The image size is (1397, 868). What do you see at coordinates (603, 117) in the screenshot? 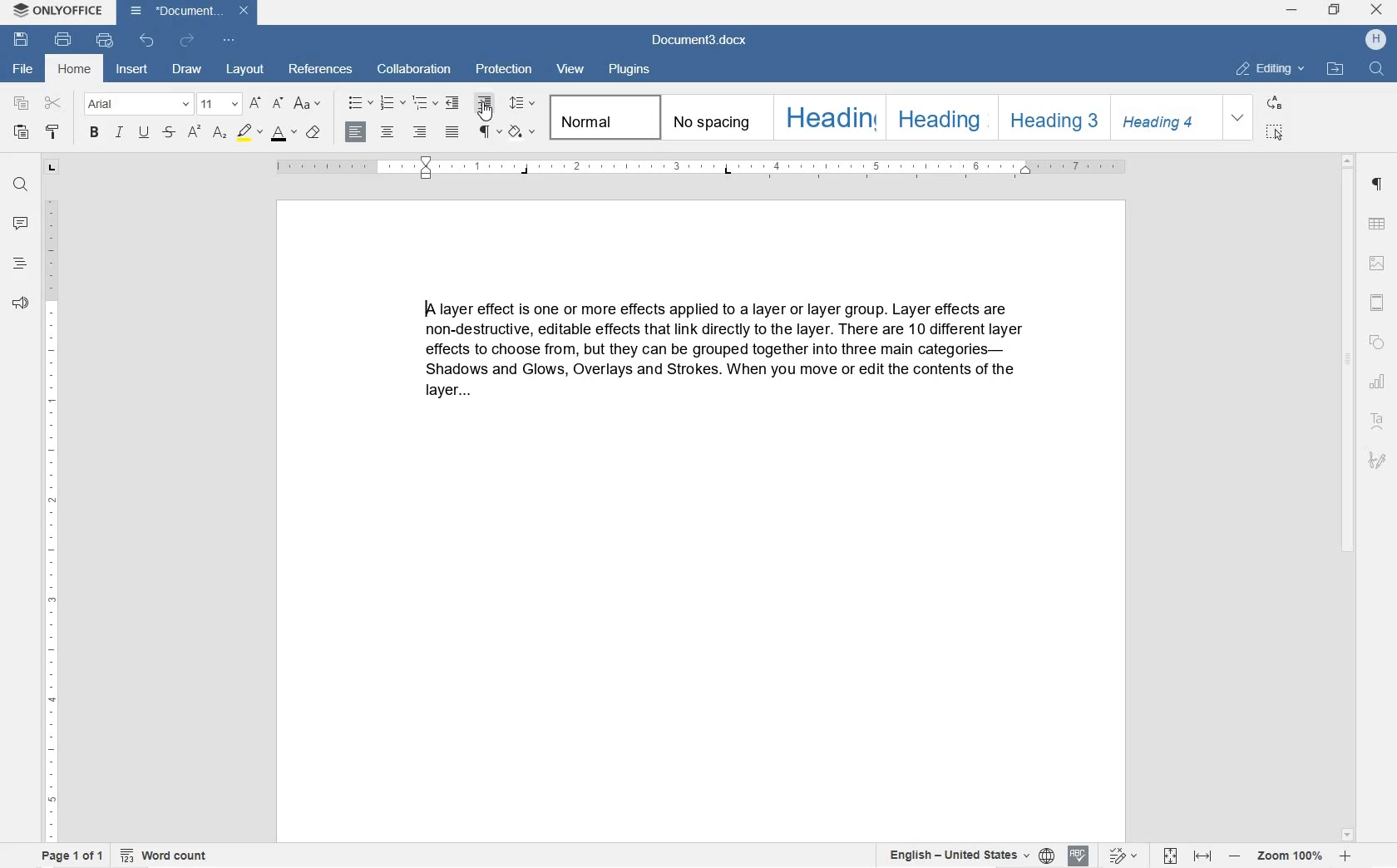
I see `NORMAL` at bounding box center [603, 117].